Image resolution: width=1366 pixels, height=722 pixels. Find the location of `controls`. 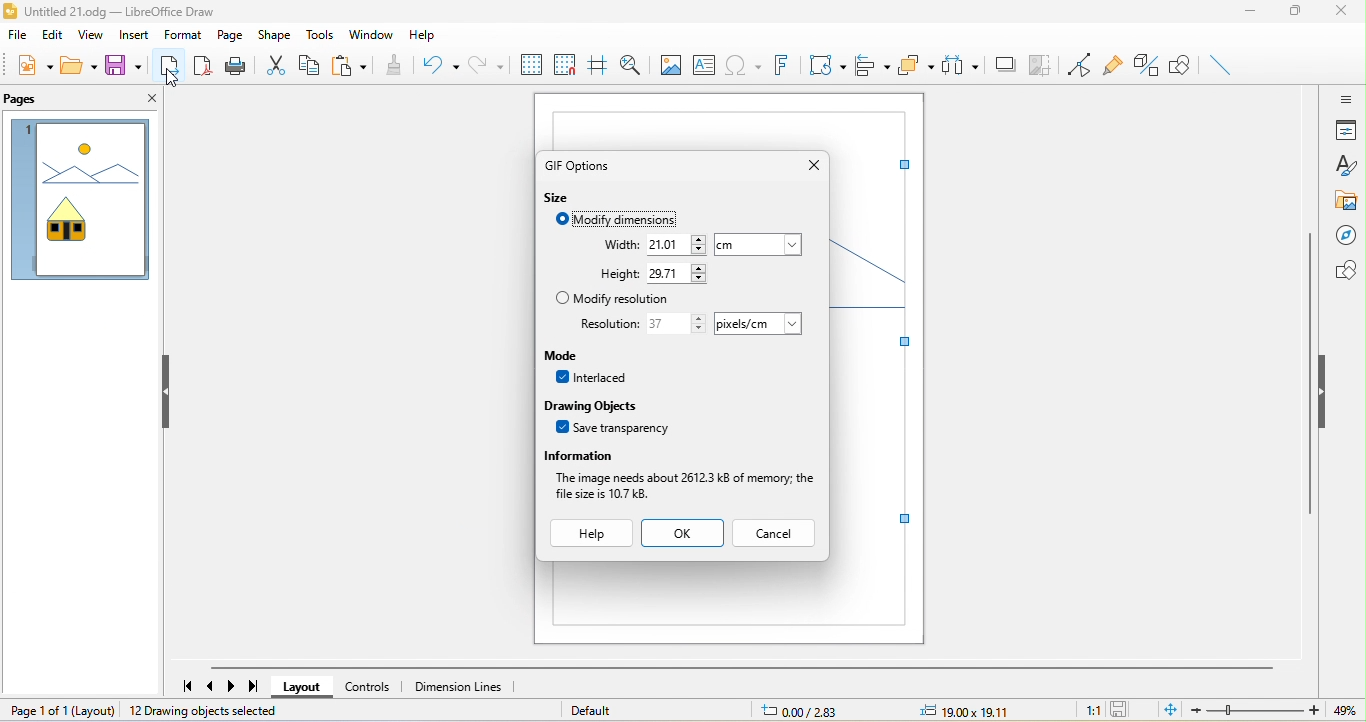

controls is located at coordinates (368, 686).